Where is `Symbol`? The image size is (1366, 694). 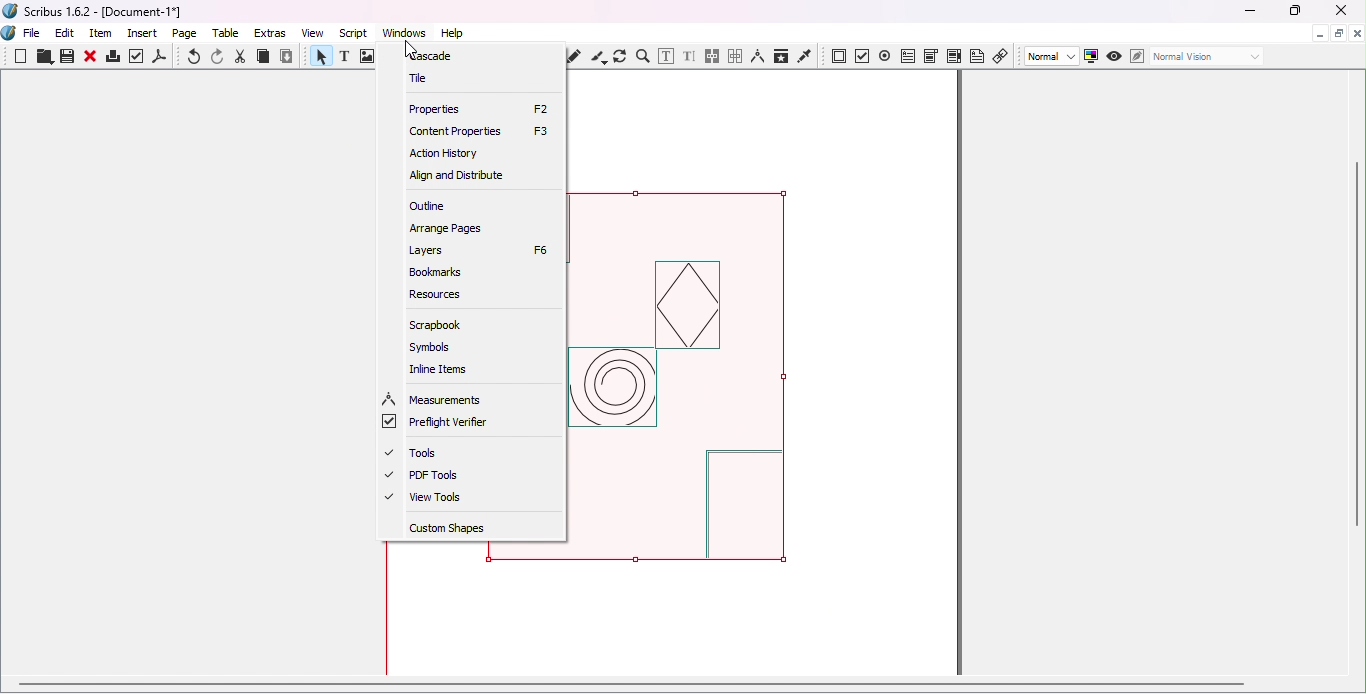
Symbol is located at coordinates (436, 349).